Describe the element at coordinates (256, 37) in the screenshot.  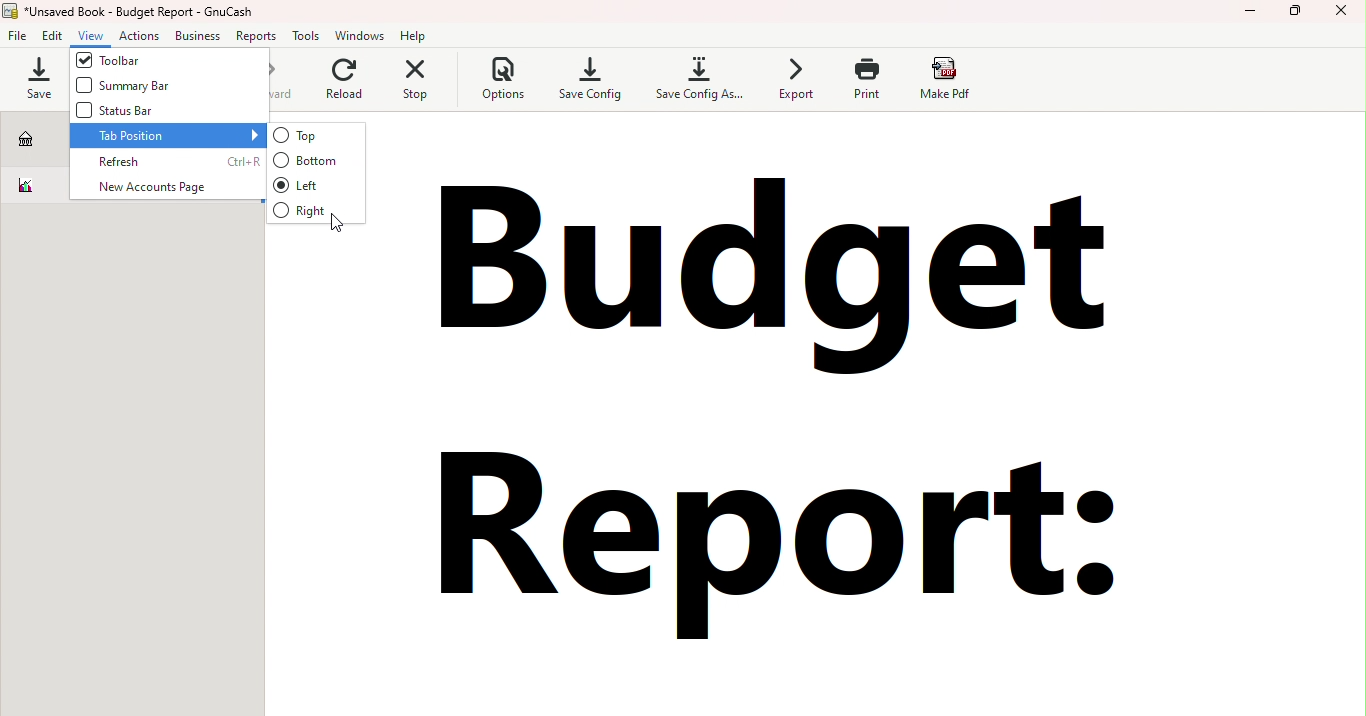
I see `Reports` at that location.